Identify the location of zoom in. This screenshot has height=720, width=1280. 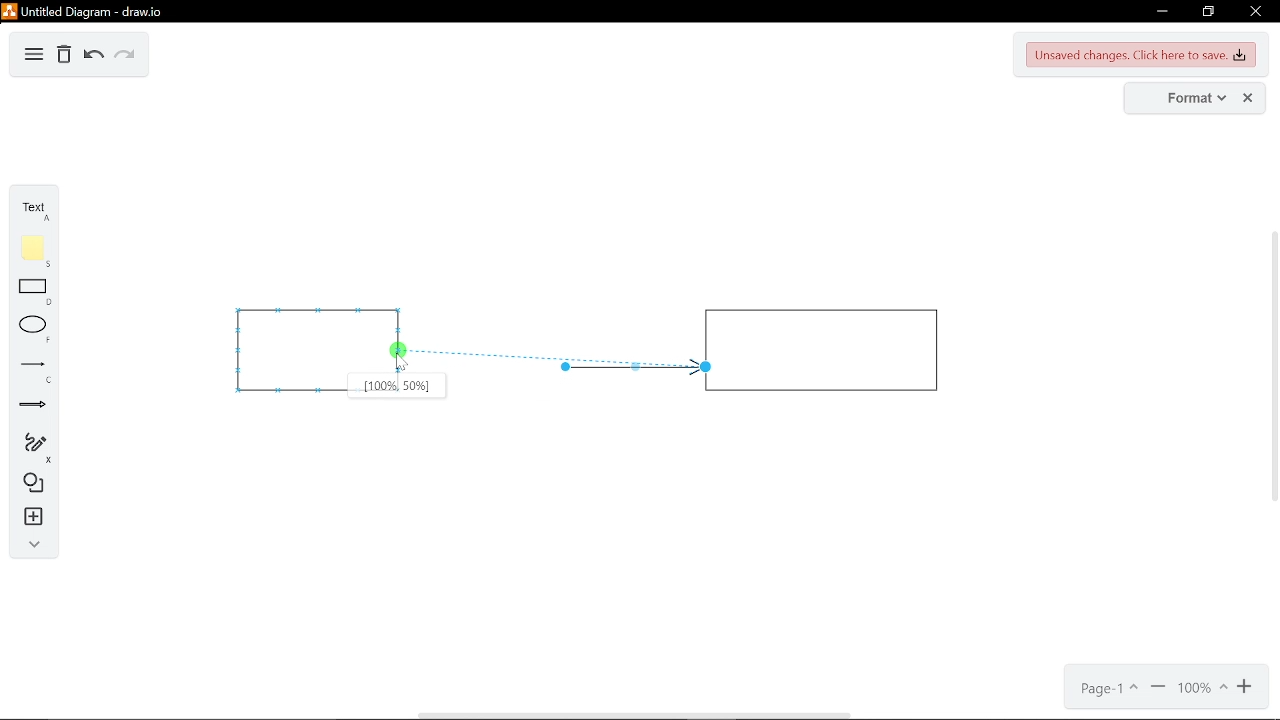
(1244, 690).